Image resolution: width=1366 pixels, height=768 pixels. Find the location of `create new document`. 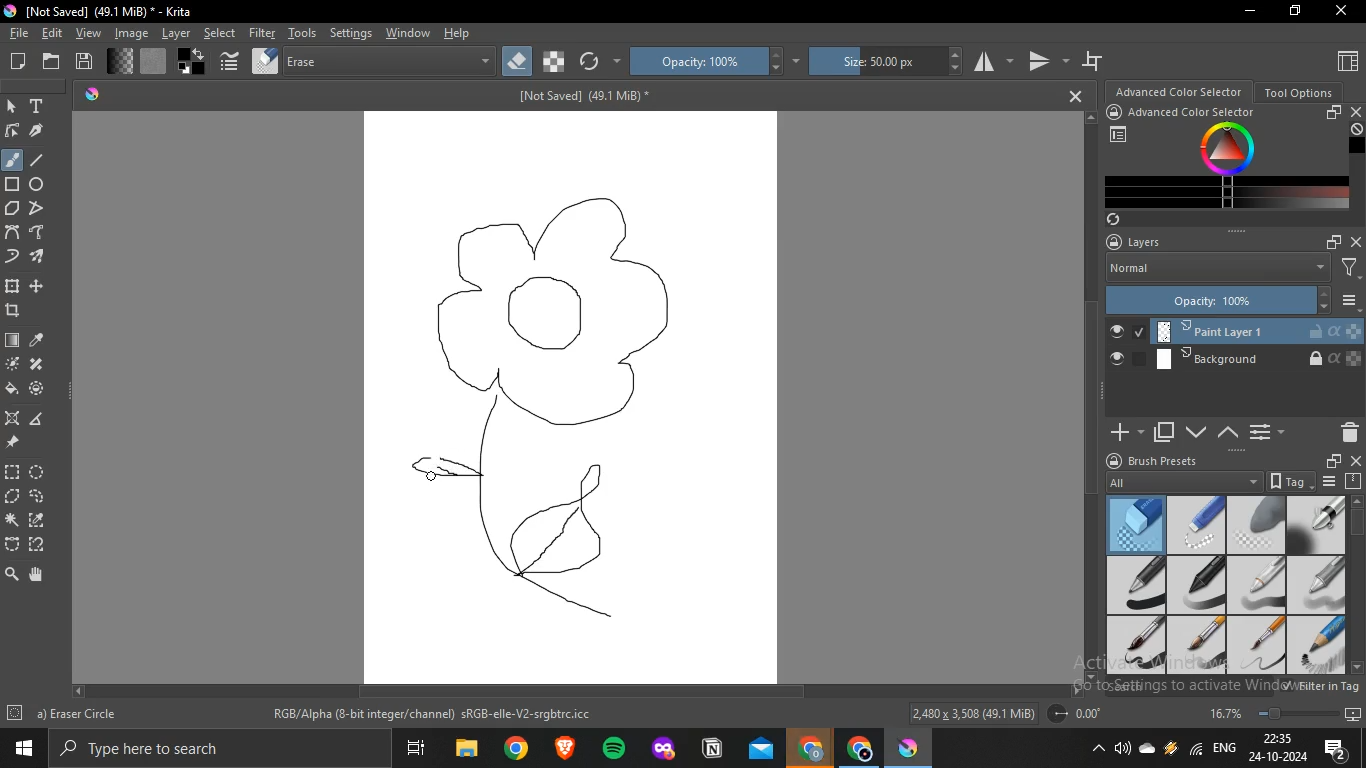

create new document is located at coordinates (21, 62).